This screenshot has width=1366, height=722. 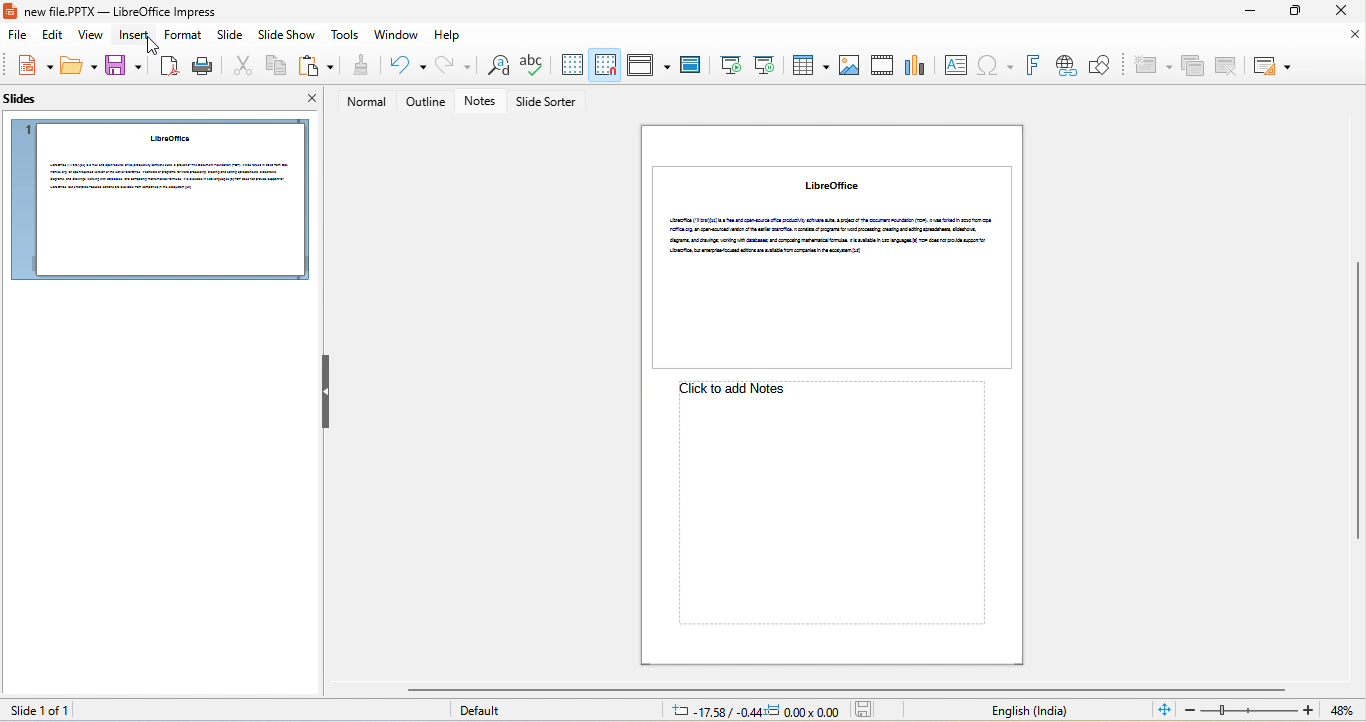 I want to click on outline, so click(x=426, y=102).